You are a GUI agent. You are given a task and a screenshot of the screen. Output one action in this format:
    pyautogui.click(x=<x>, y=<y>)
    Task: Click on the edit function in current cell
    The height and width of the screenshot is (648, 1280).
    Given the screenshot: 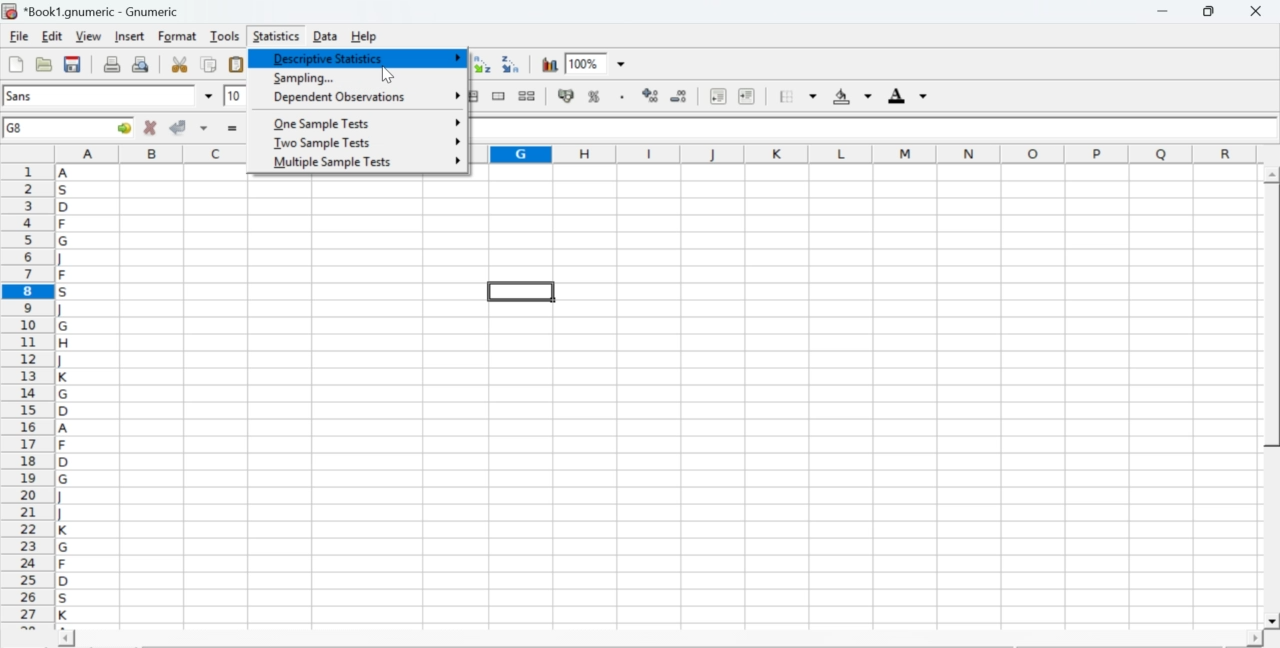 What is the action you would take?
    pyautogui.click(x=456, y=63)
    